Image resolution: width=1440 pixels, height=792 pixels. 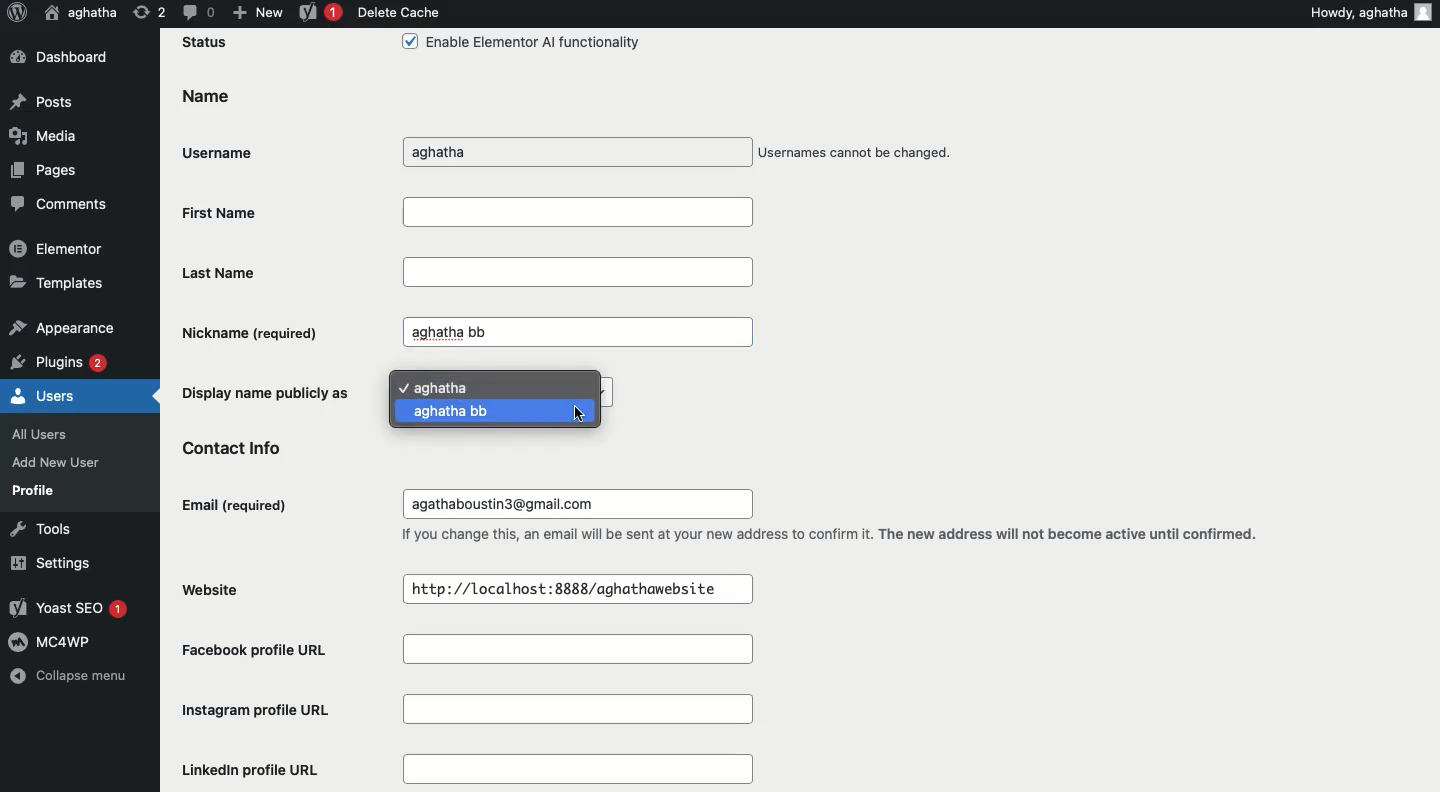 What do you see at coordinates (54, 640) in the screenshot?
I see `MC4WP` at bounding box center [54, 640].